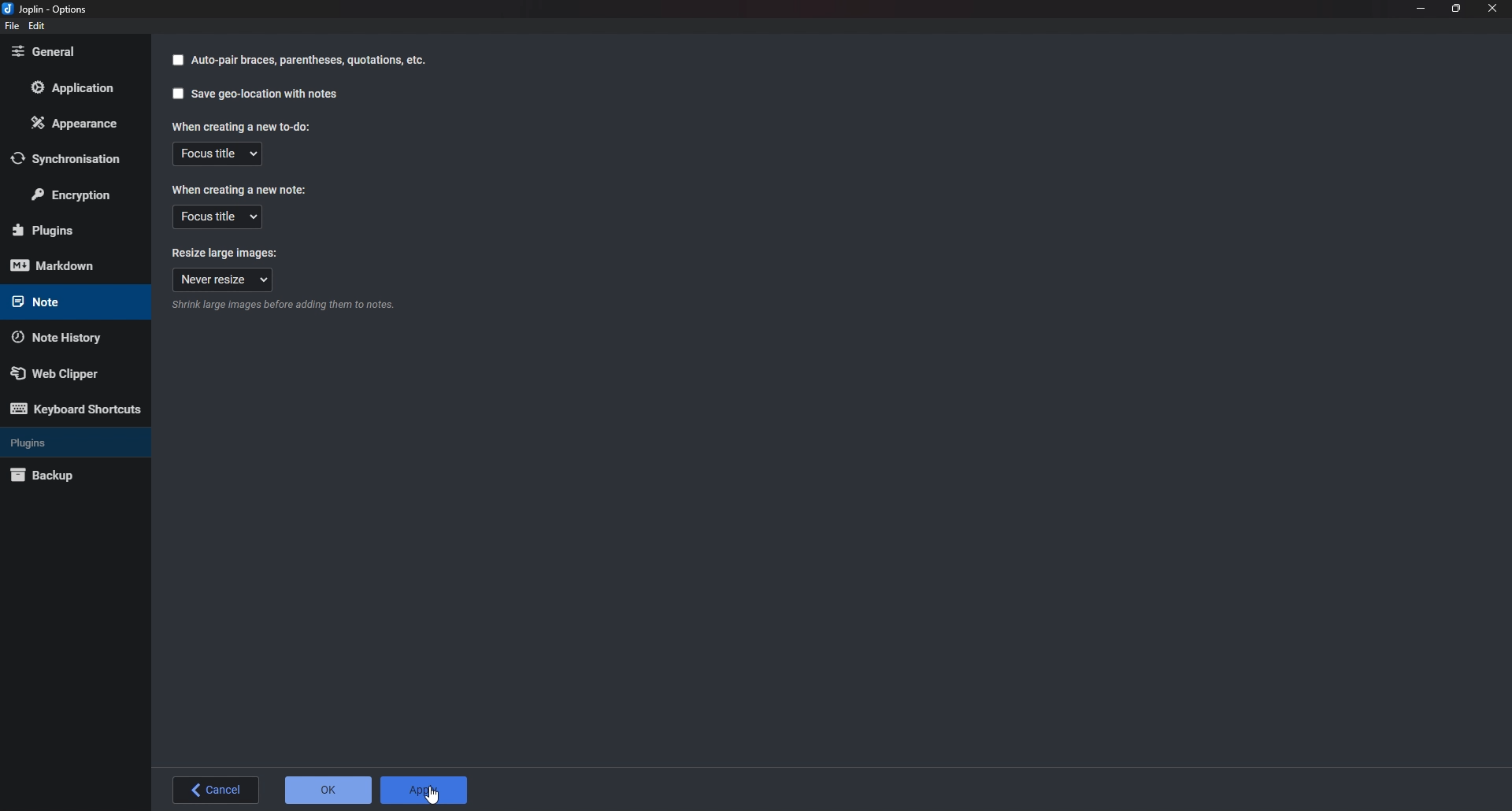  Describe the element at coordinates (217, 155) in the screenshot. I see `Focus Title` at that location.